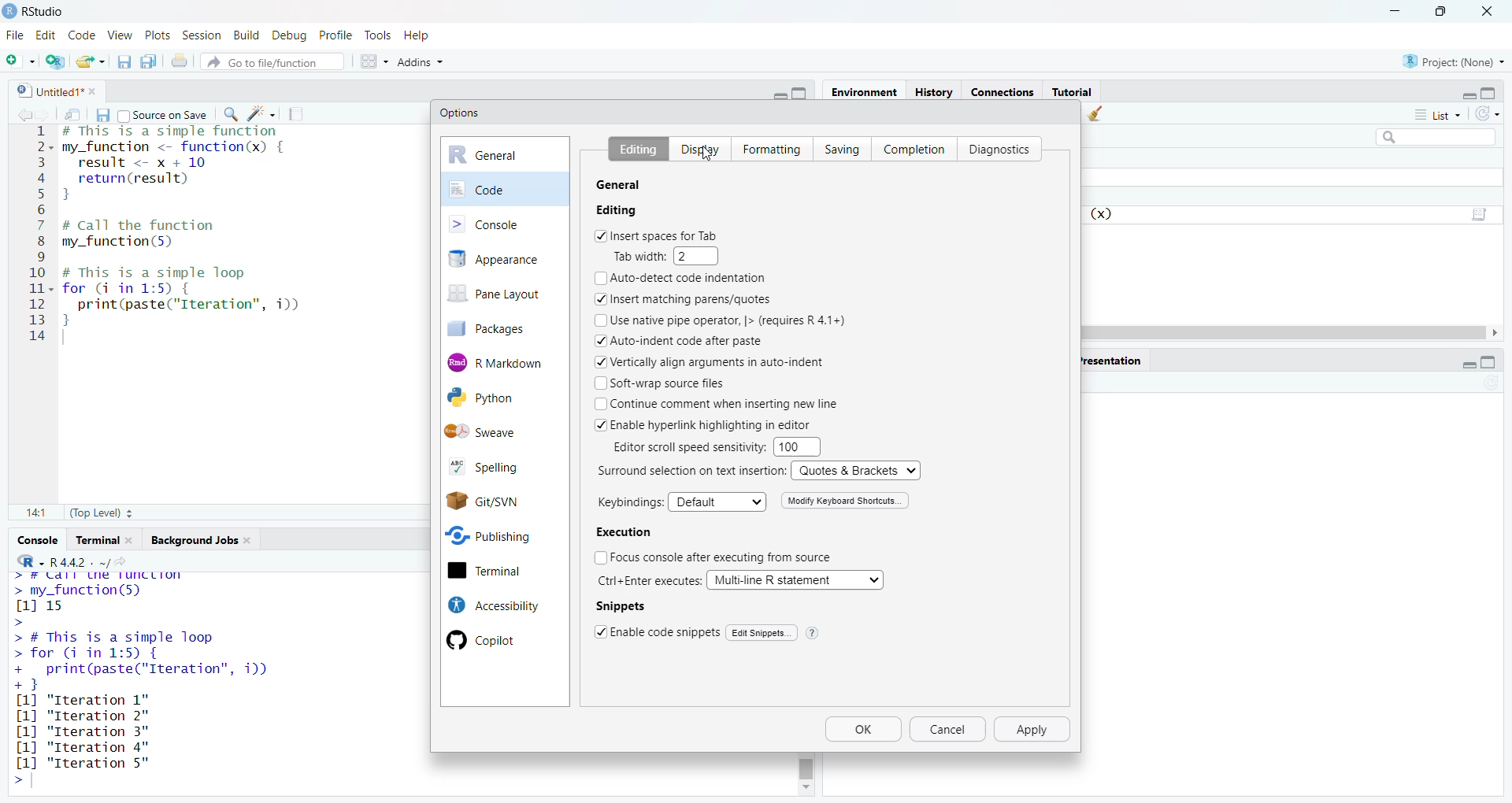  Describe the element at coordinates (734, 581) in the screenshot. I see `Ctrl+Enter executes: | Multi-line R statement v` at that location.